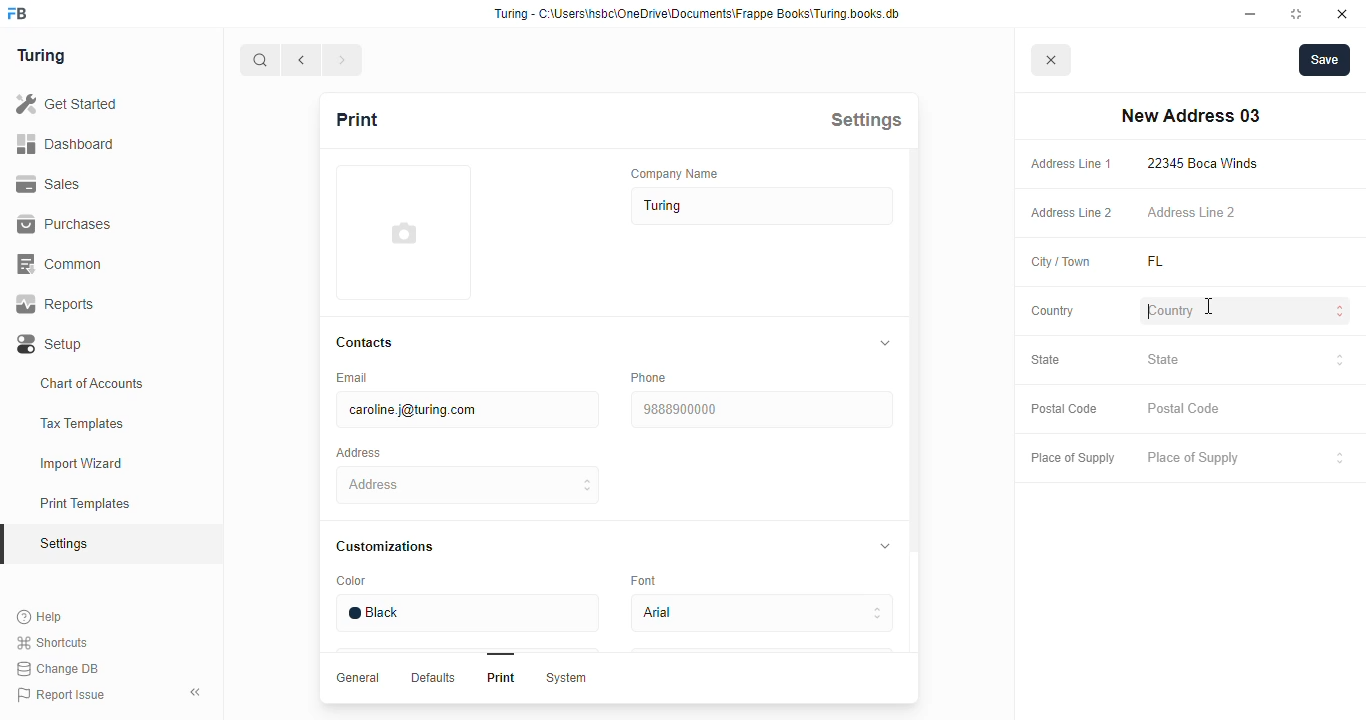 This screenshot has width=1366, height=720. Describe the element at coordinates (356, 119) in the screenshot. I see `print` at that location.